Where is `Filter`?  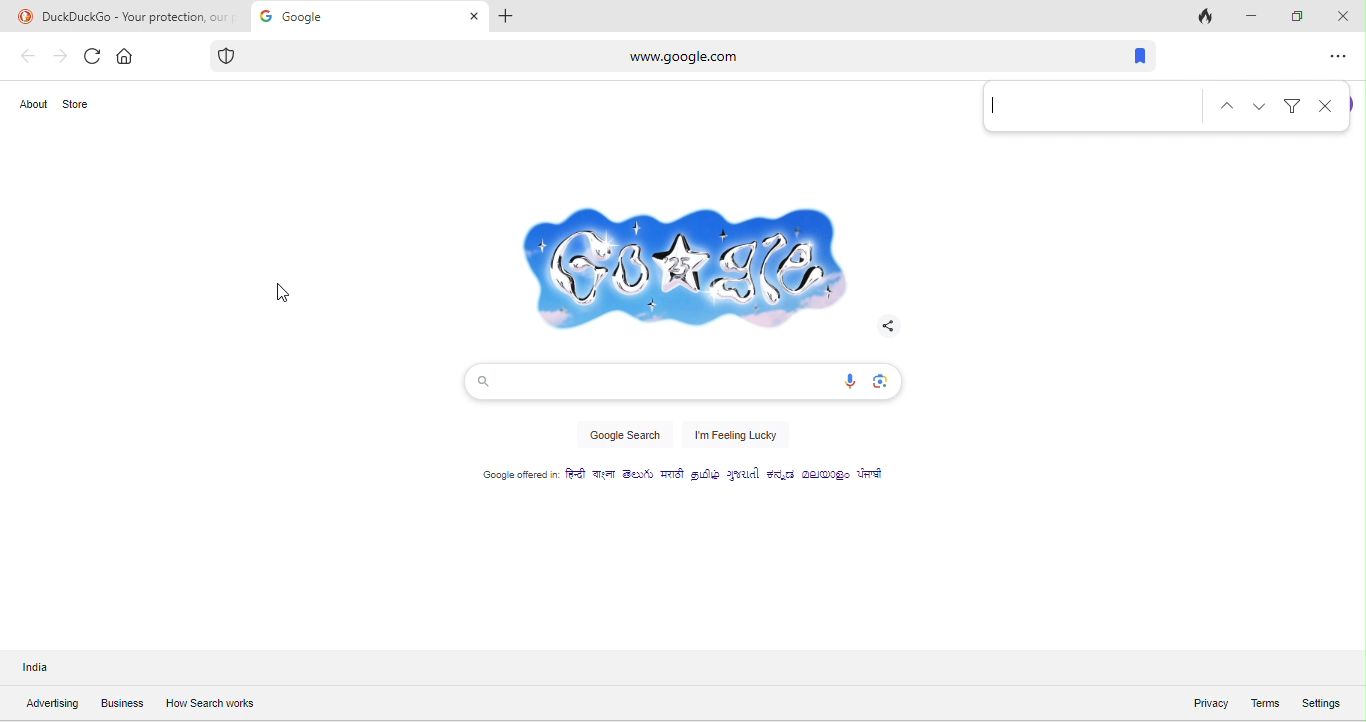
Filter is located at coordinates (1292, 103).